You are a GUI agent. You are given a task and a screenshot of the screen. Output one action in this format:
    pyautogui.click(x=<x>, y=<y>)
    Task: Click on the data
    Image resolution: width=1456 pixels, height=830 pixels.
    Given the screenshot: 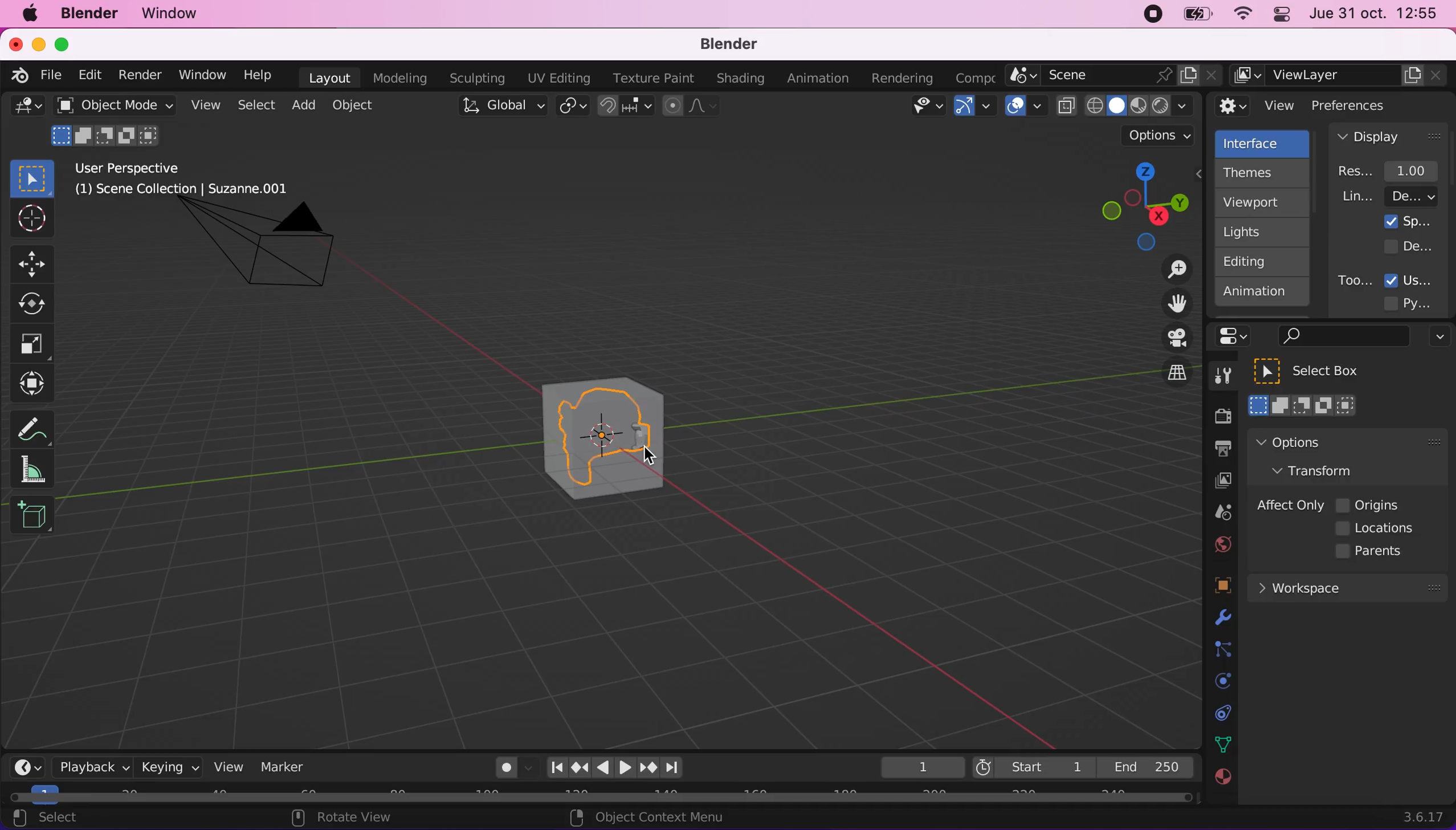 What is the action you would take?
    pyautogui.click(x=1220, y=743)
    